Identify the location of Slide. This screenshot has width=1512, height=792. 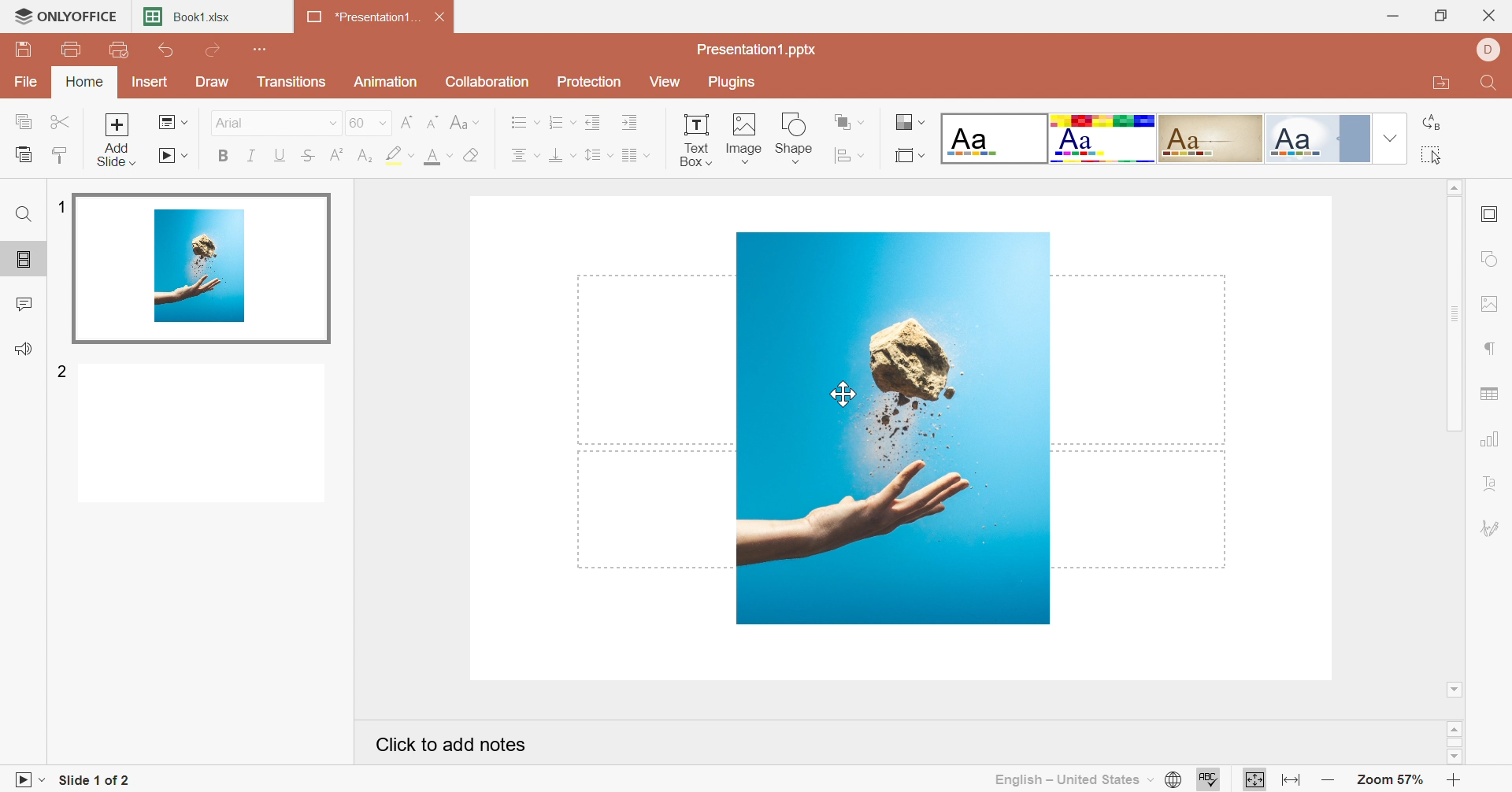
(202, 435).